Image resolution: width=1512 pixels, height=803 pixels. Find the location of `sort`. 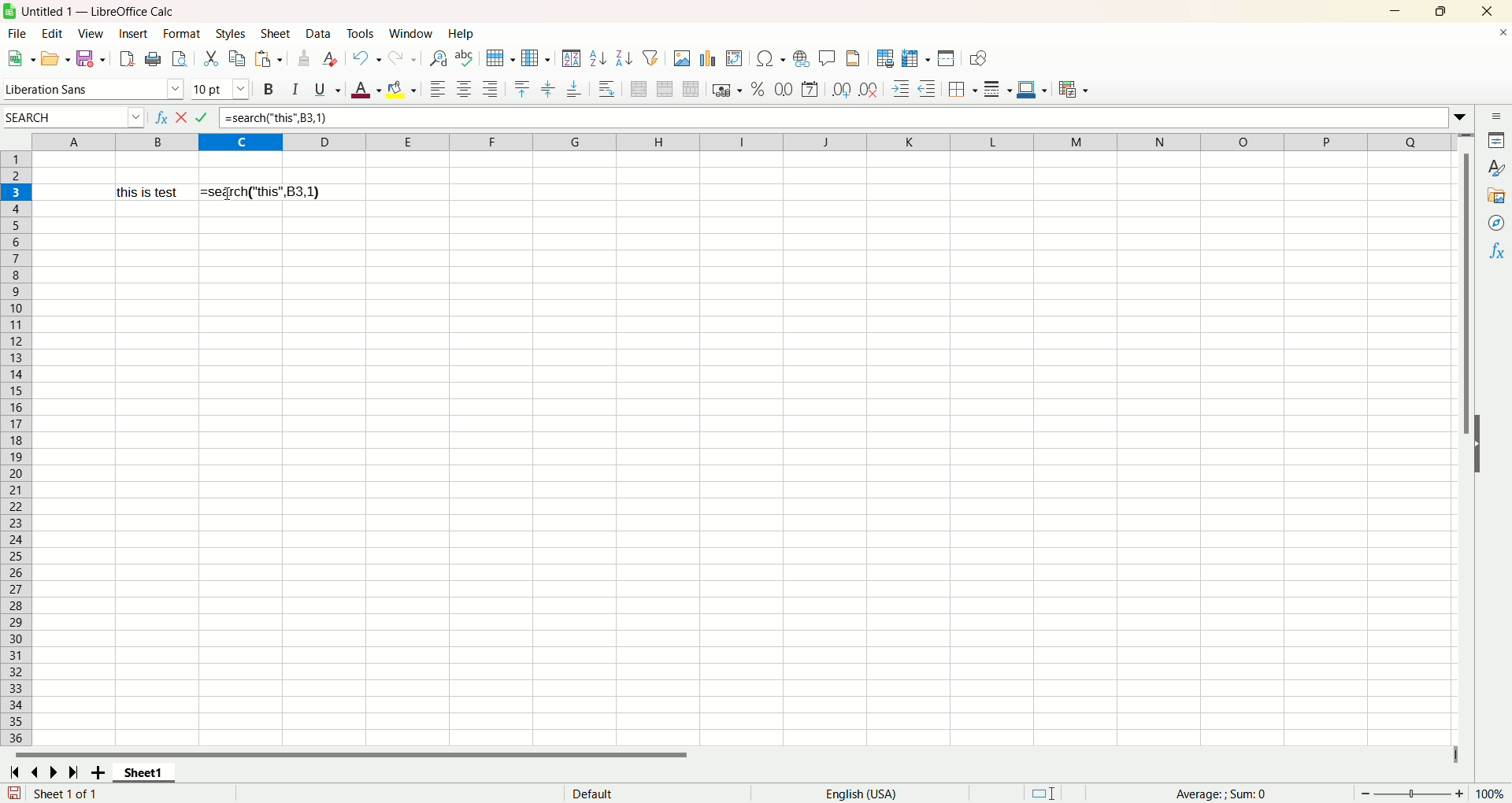

sort is located at coordinates (571, 58).